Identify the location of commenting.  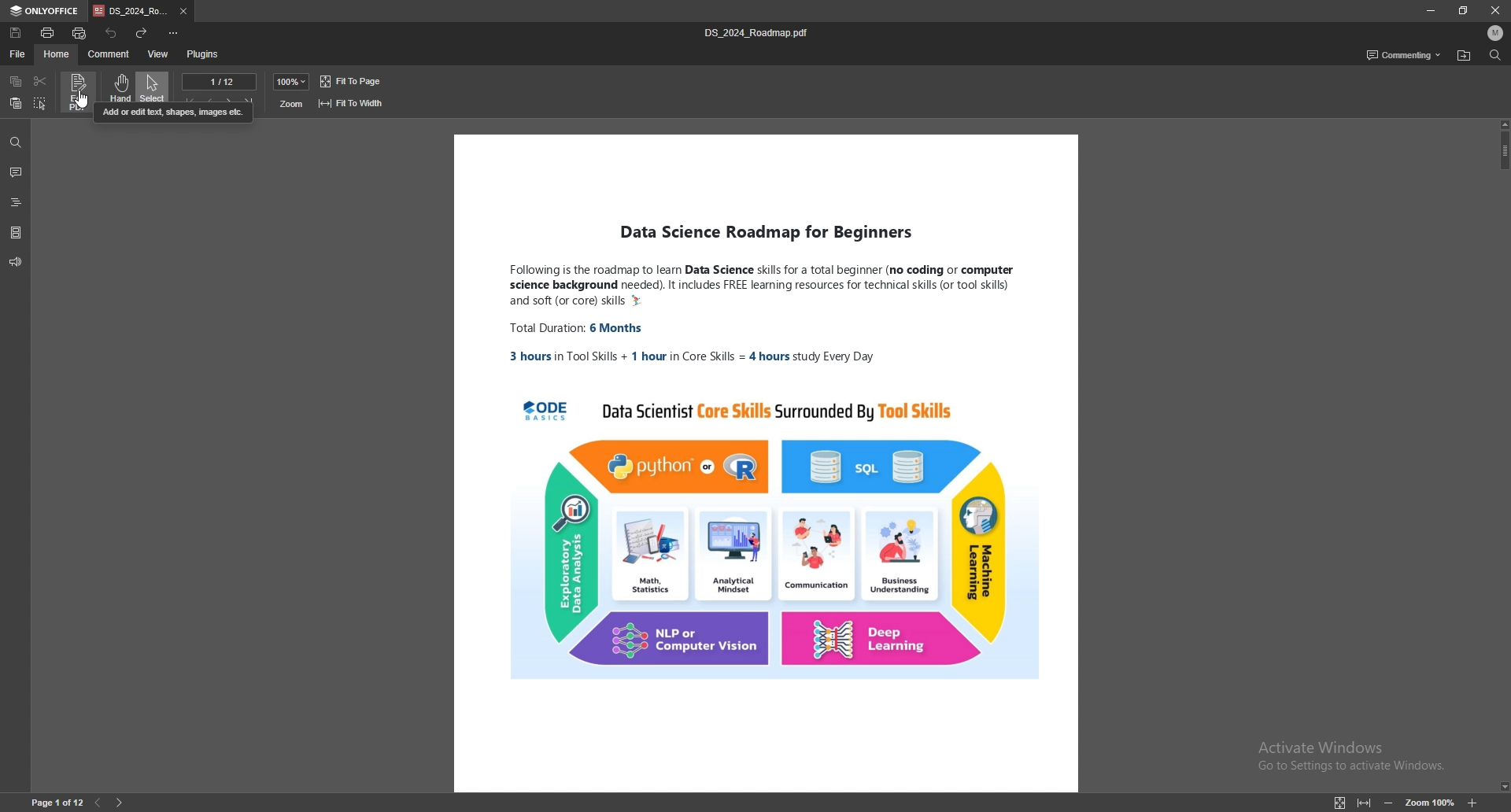
(1403, 54).